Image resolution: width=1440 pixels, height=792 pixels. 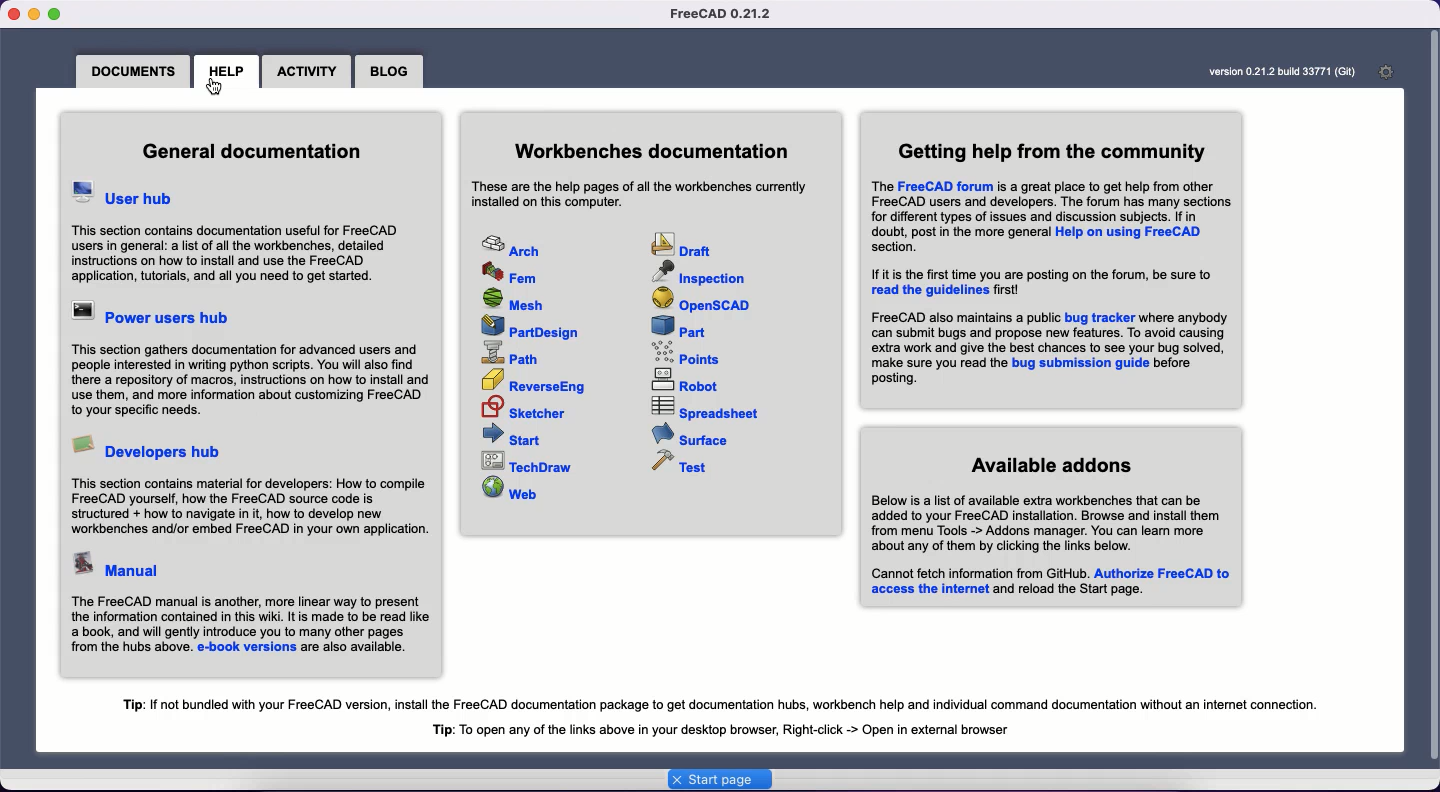 I want to click on TechDraw, so click(x=526, y=460).